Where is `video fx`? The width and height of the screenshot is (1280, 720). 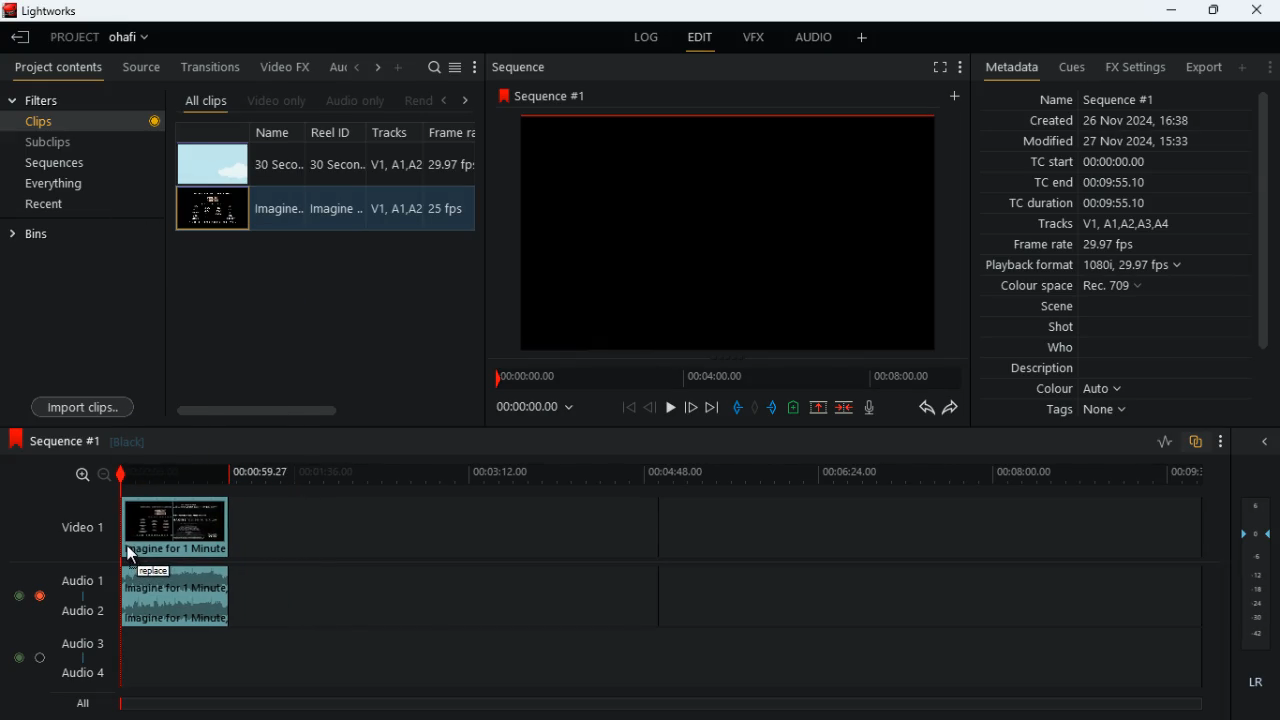 video fx is located at coordinates (288, 67).